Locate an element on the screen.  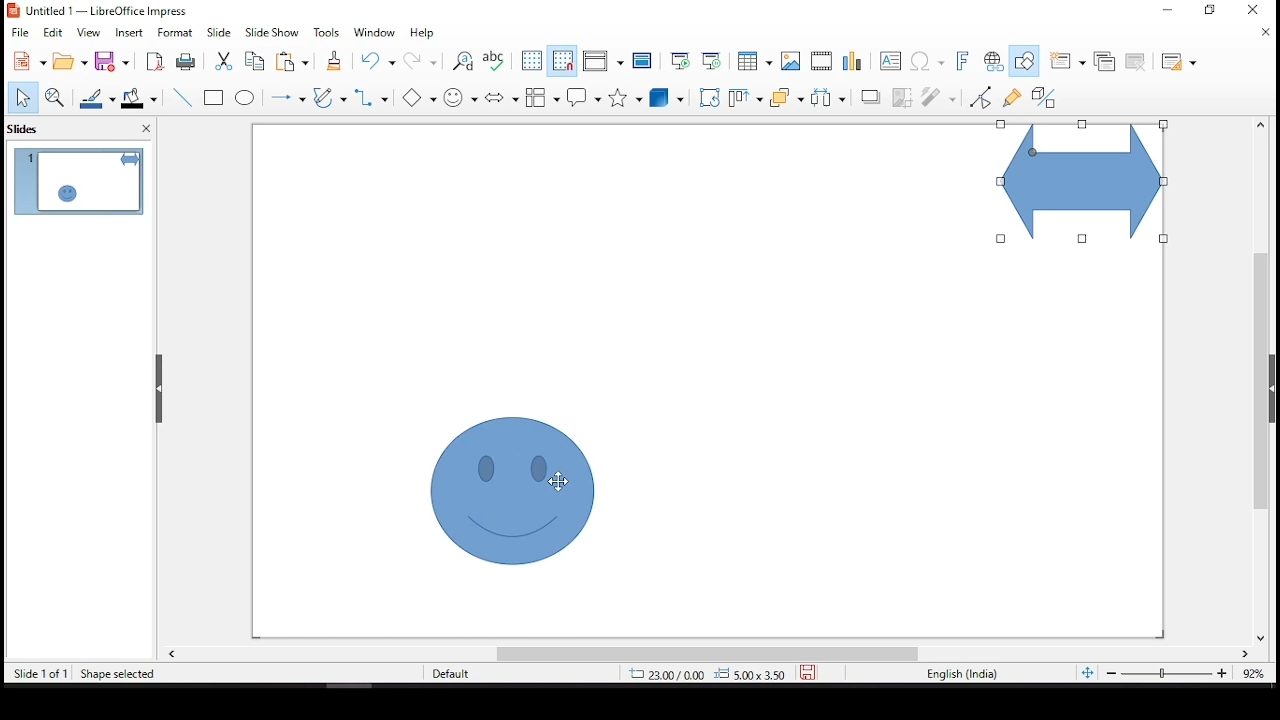
text box is located at coordinates (893, 63).